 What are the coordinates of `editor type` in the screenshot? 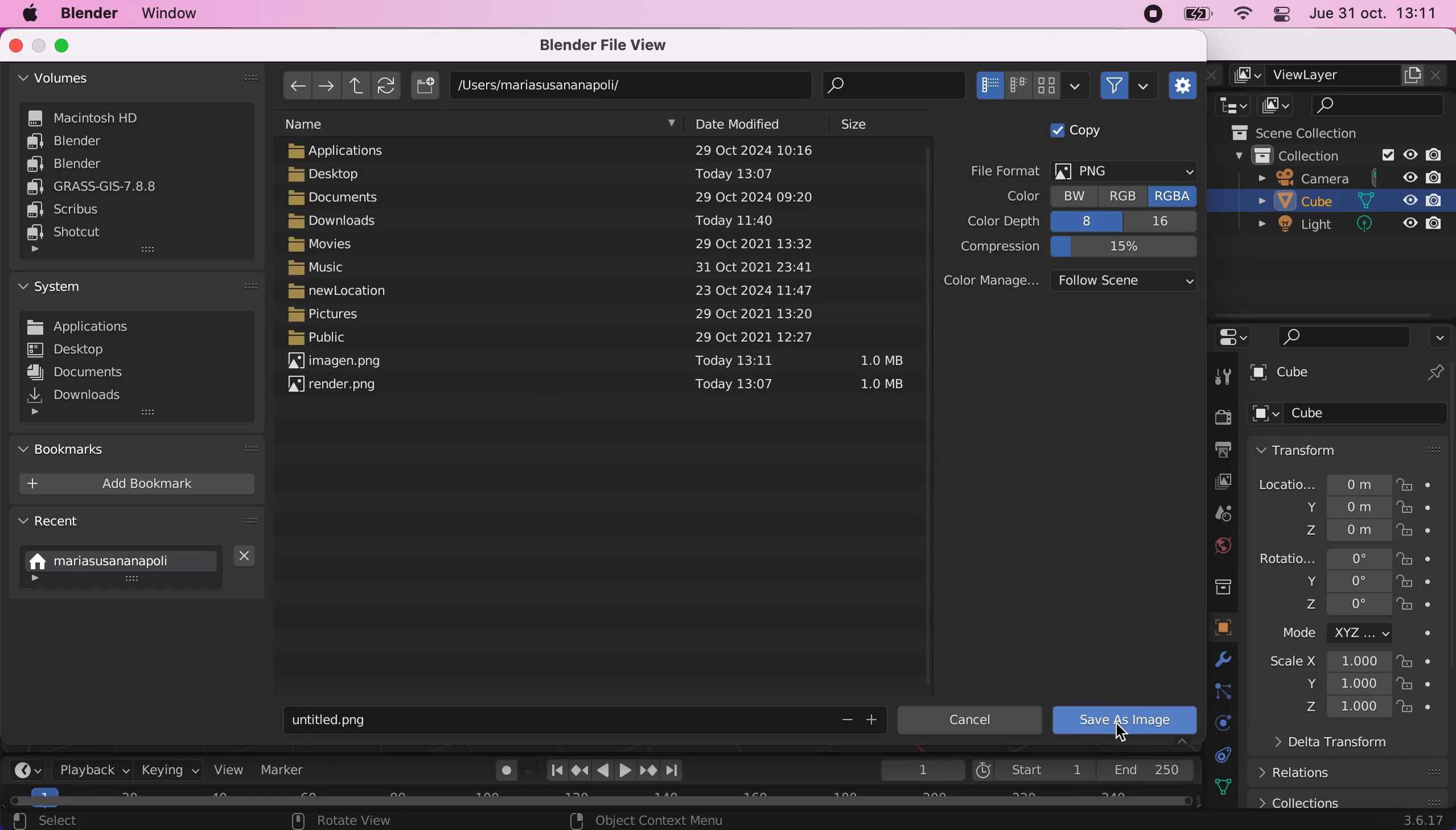 It's located at (1229, 105).